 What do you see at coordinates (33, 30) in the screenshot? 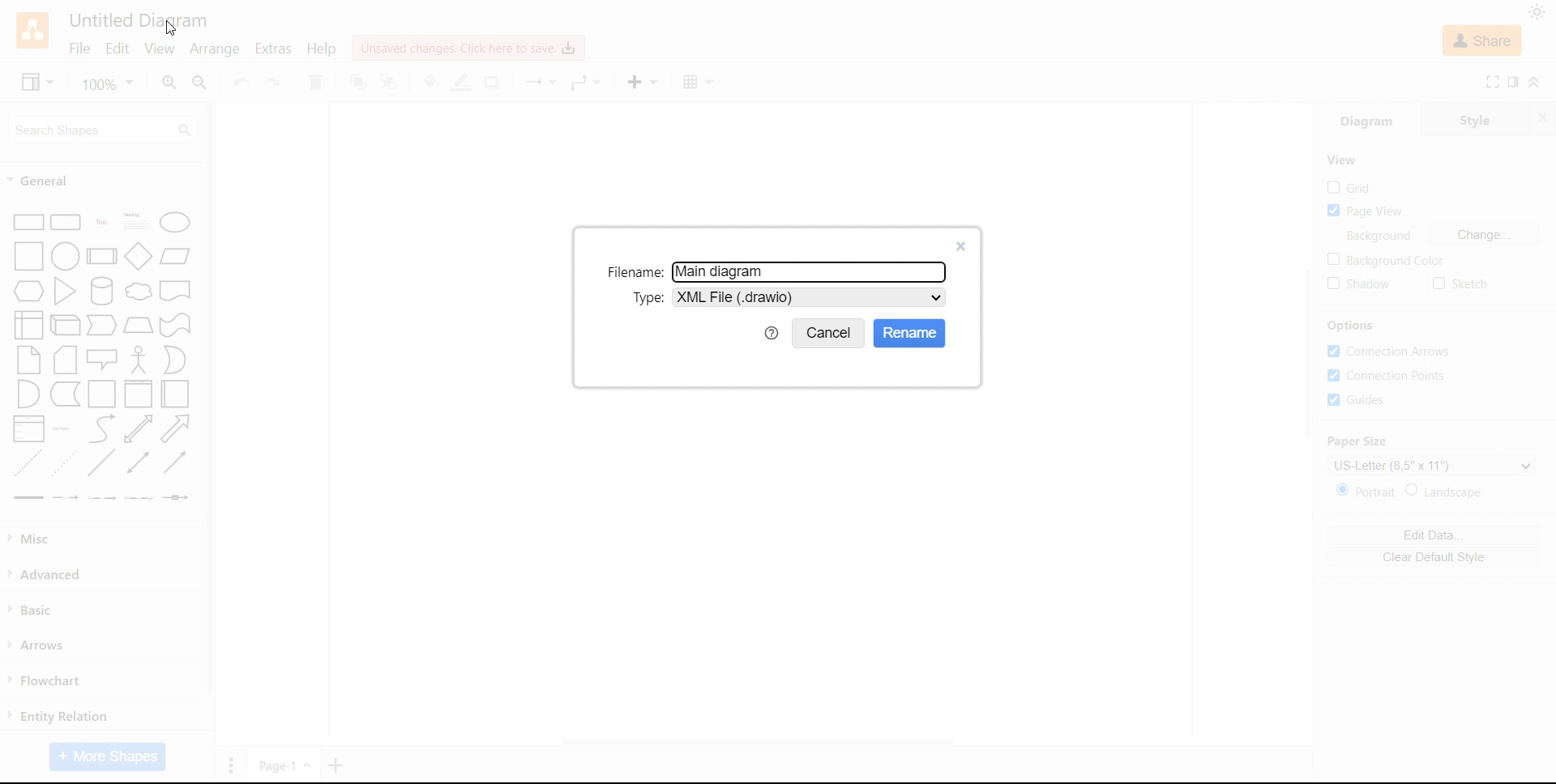
I see `Logo ` at bounding box center [33, 30].